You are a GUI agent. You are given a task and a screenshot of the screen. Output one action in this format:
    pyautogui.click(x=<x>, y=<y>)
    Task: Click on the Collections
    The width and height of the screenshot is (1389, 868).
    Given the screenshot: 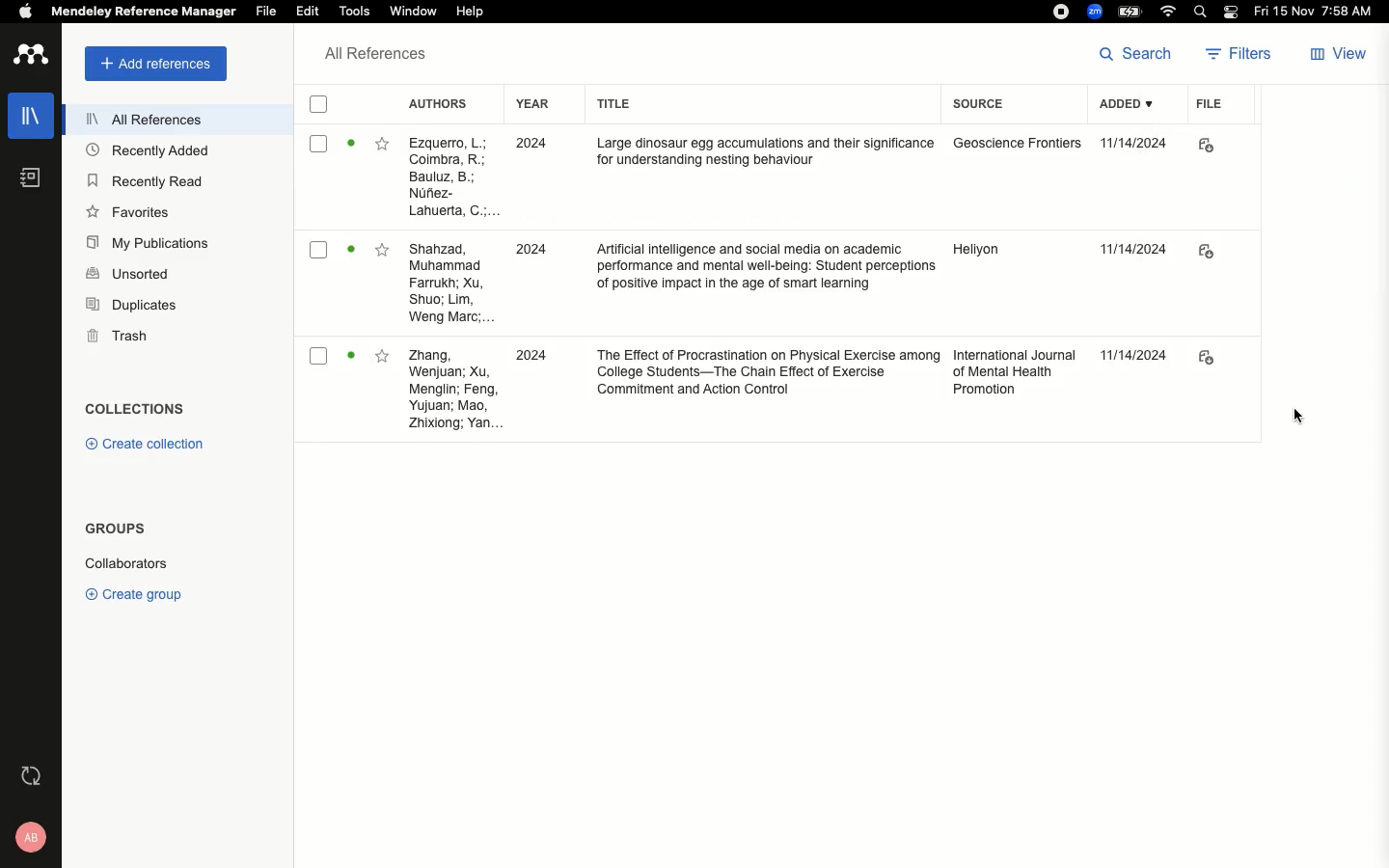 What is the action you would take?
    pyautogui.click(x=134, y=408)
    